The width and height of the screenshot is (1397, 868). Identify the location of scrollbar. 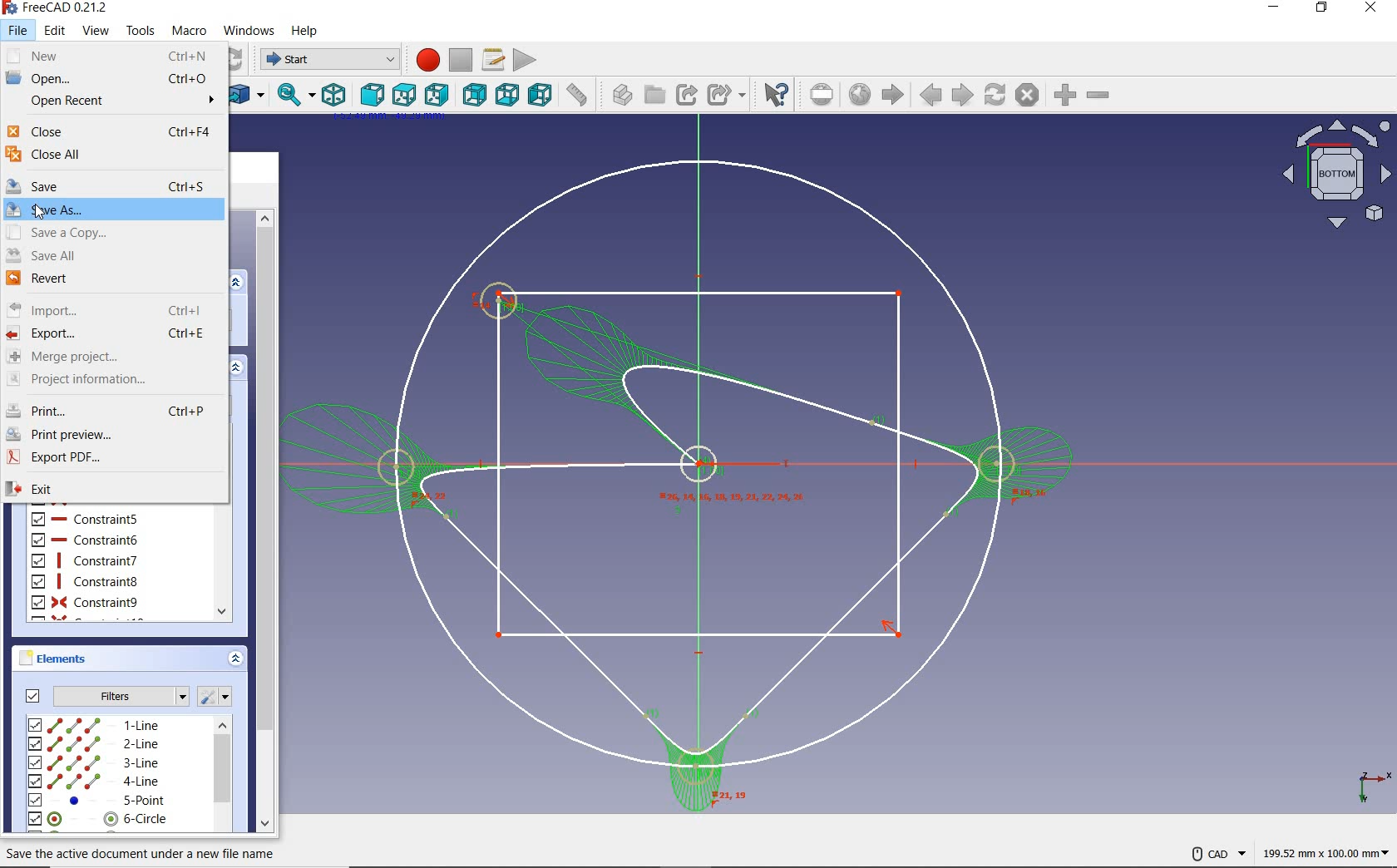
(222, 776).